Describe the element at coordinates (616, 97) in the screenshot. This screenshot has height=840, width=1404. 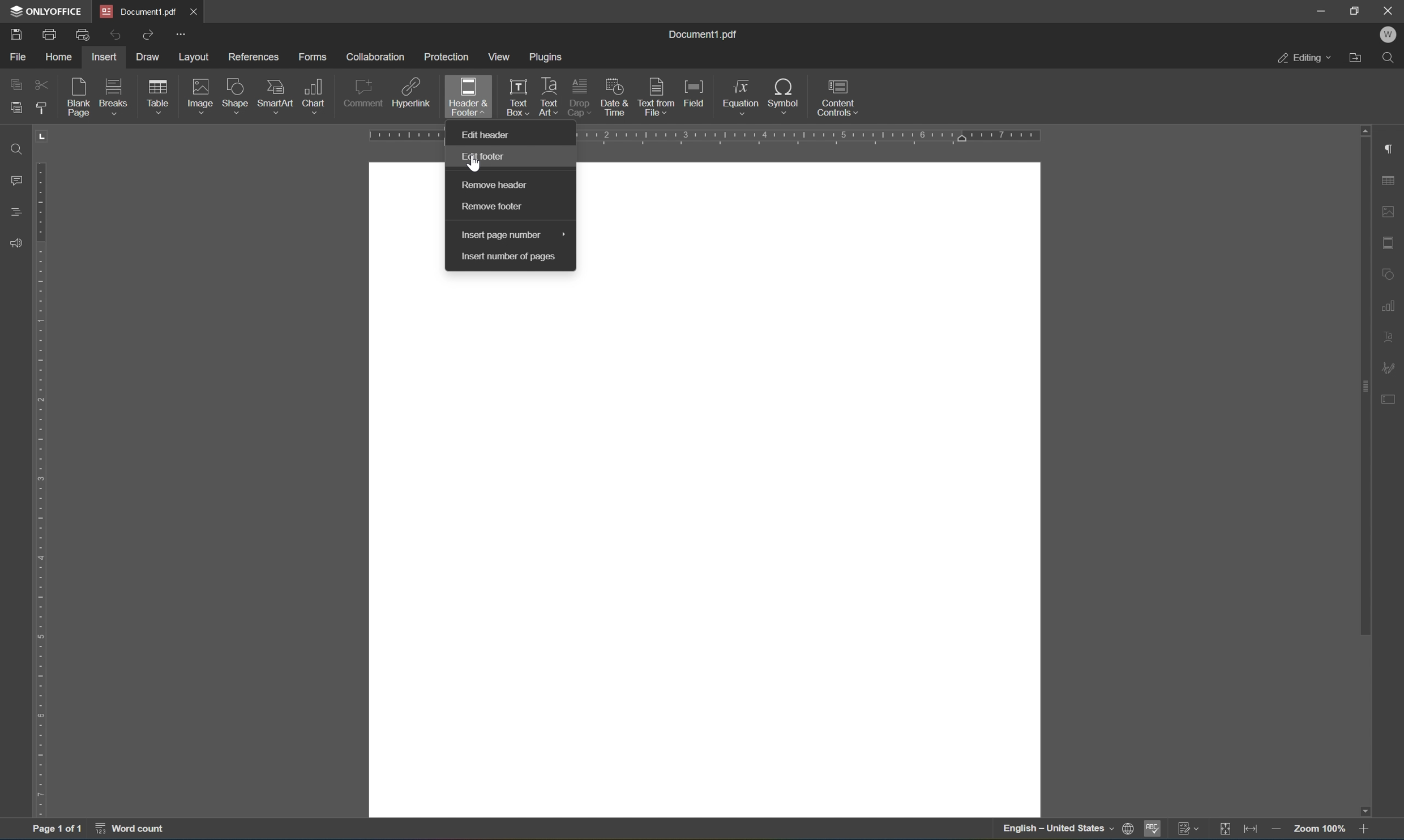
I see `date and time` at that location.